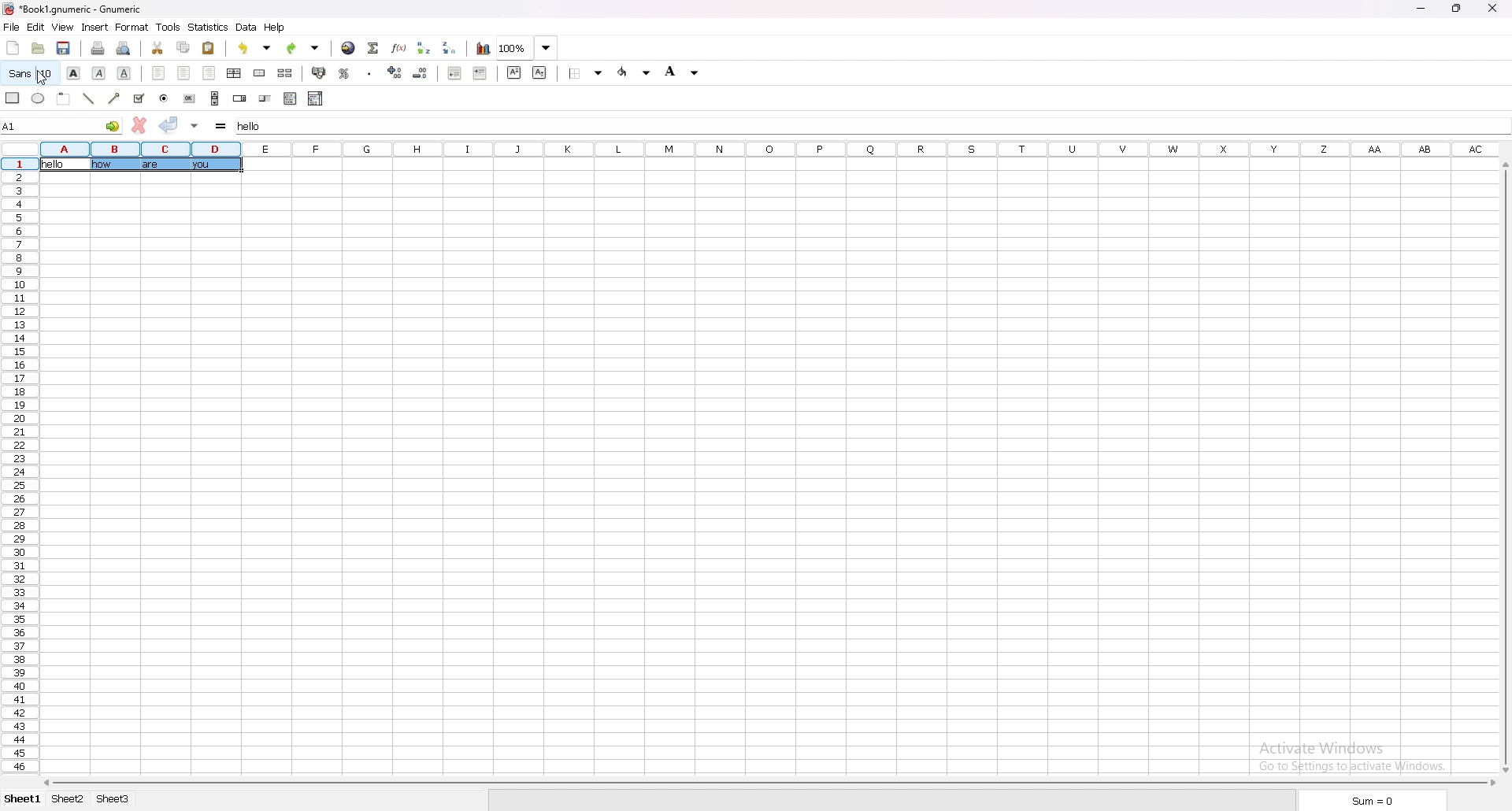  I want to click on redo, so click(304, 47).